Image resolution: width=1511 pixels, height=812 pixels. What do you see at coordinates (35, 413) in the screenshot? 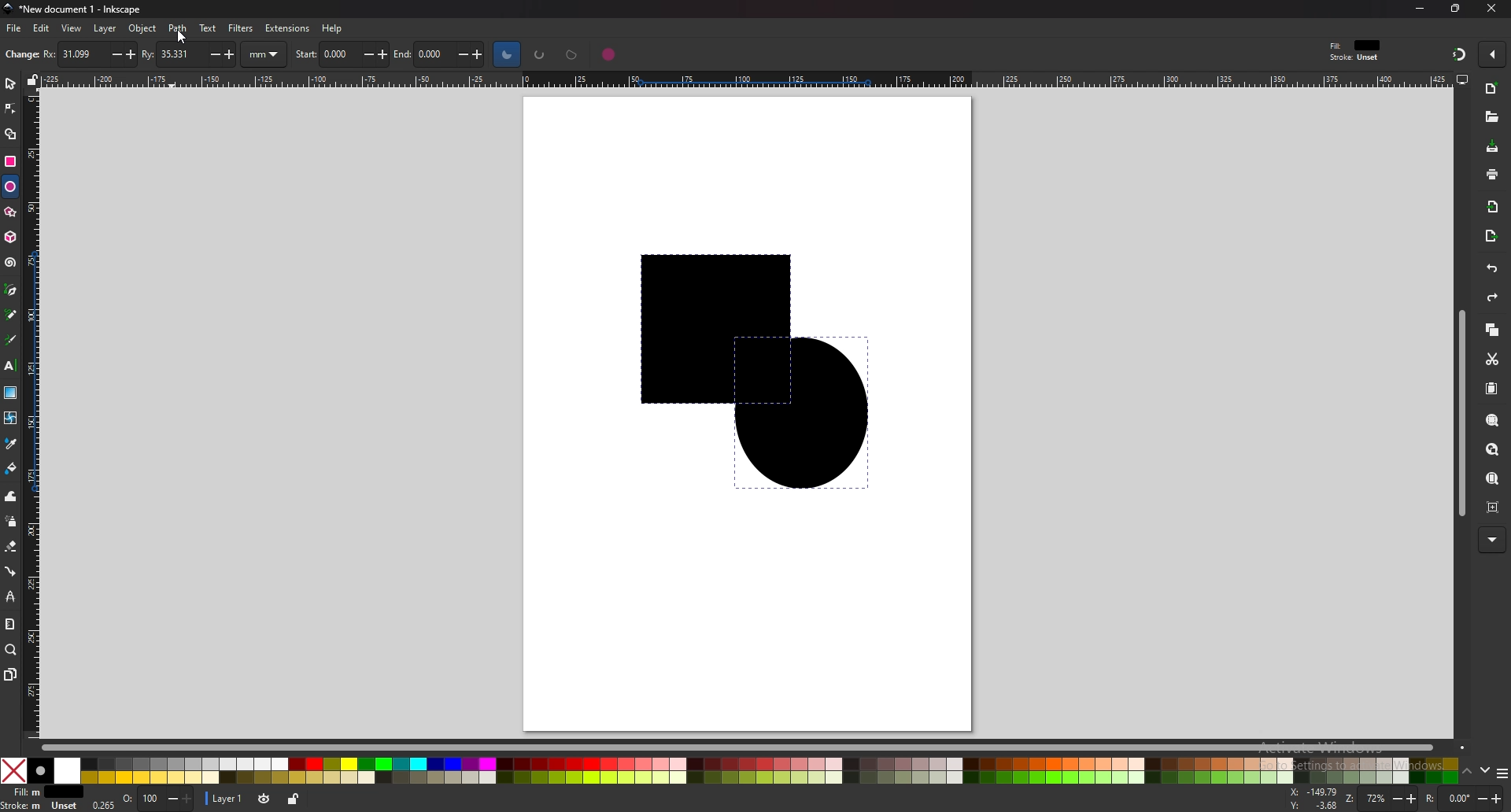
I see `vertical ruler` at bounding box center [35, 413].